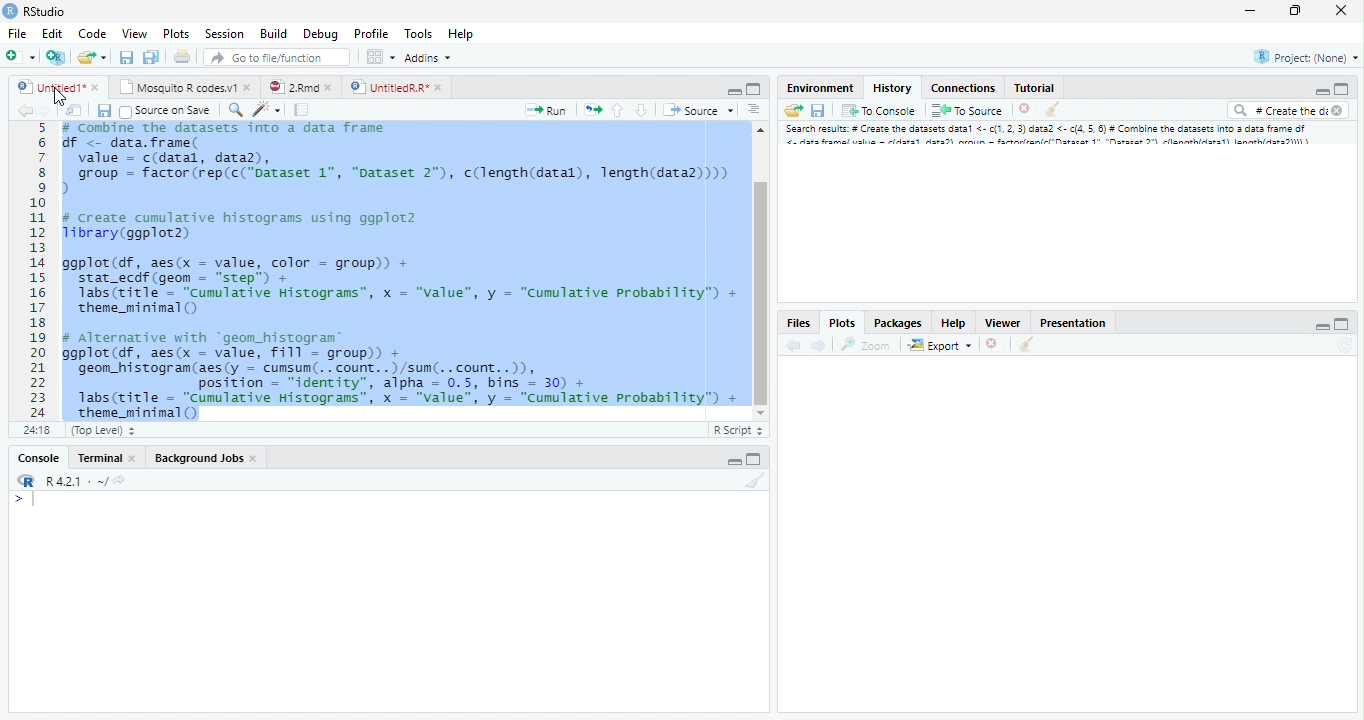 The image size is (1364, 720). What do you see at coordinates (1025, 109) in the screenshot?
I see `Delete` at bounding box center [1025, 109].